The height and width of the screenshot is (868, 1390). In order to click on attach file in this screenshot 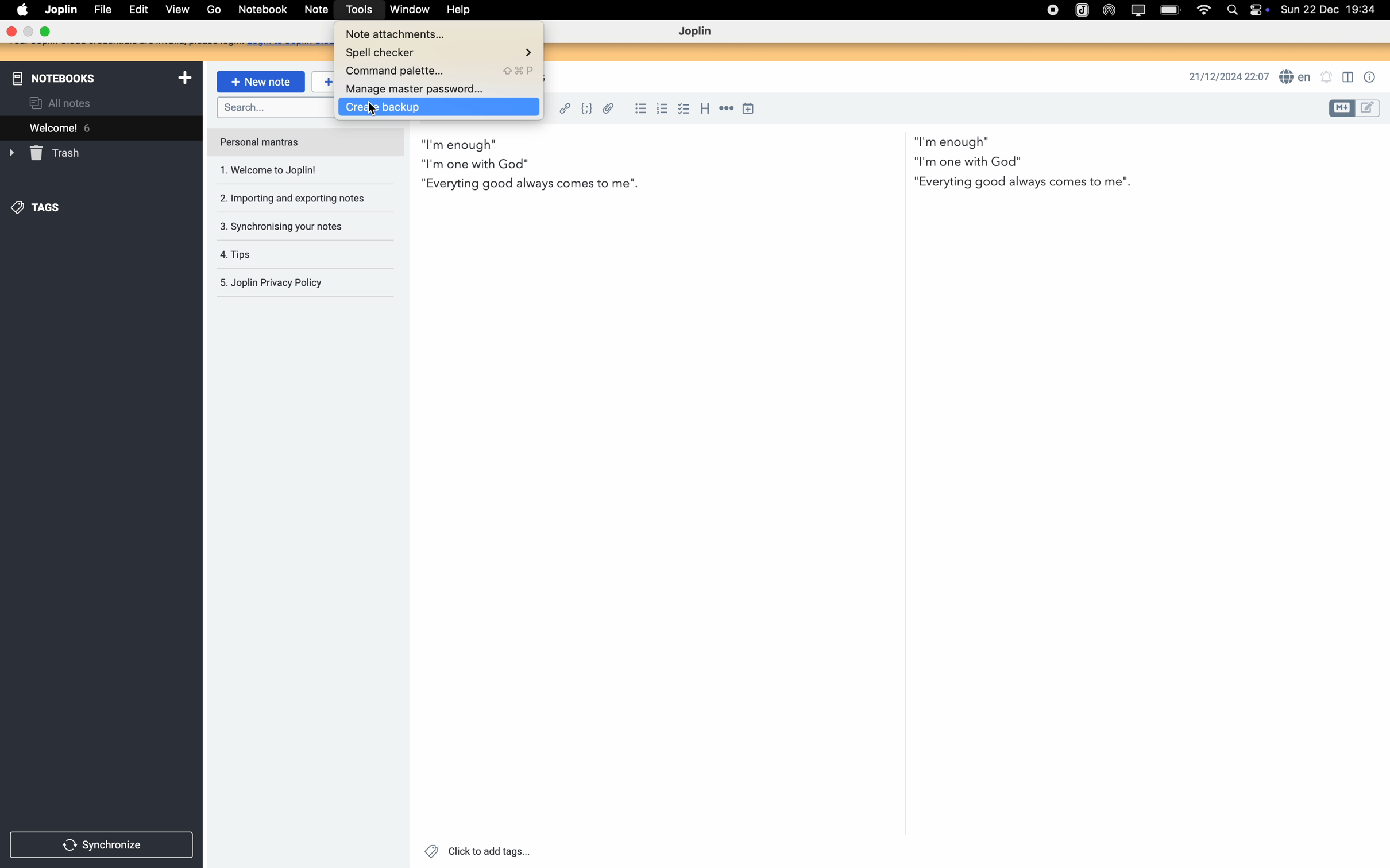, I will do `click(607, 107)`.